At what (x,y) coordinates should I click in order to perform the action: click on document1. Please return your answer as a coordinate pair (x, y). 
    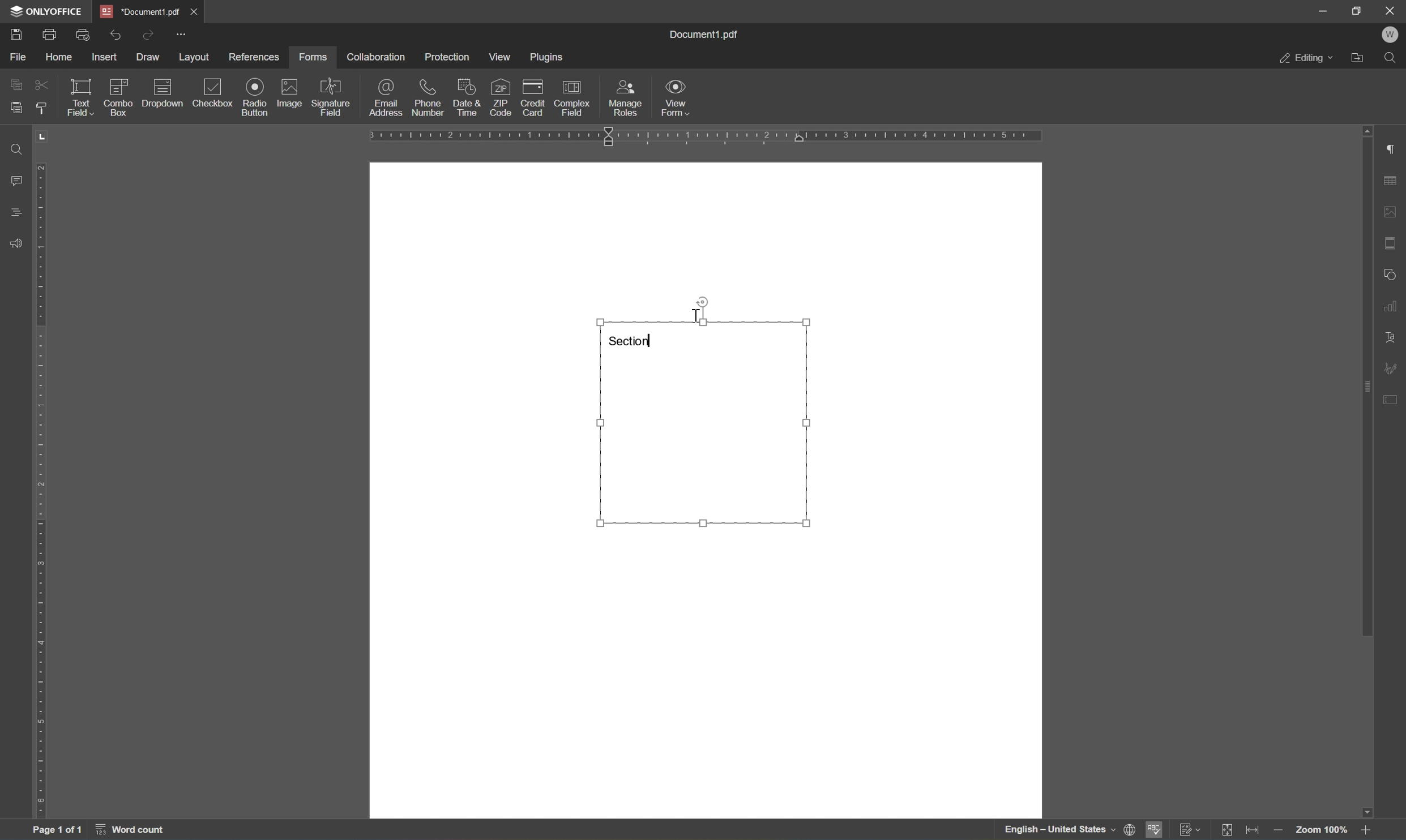
    Looking at the image, I should click on (142, 12).